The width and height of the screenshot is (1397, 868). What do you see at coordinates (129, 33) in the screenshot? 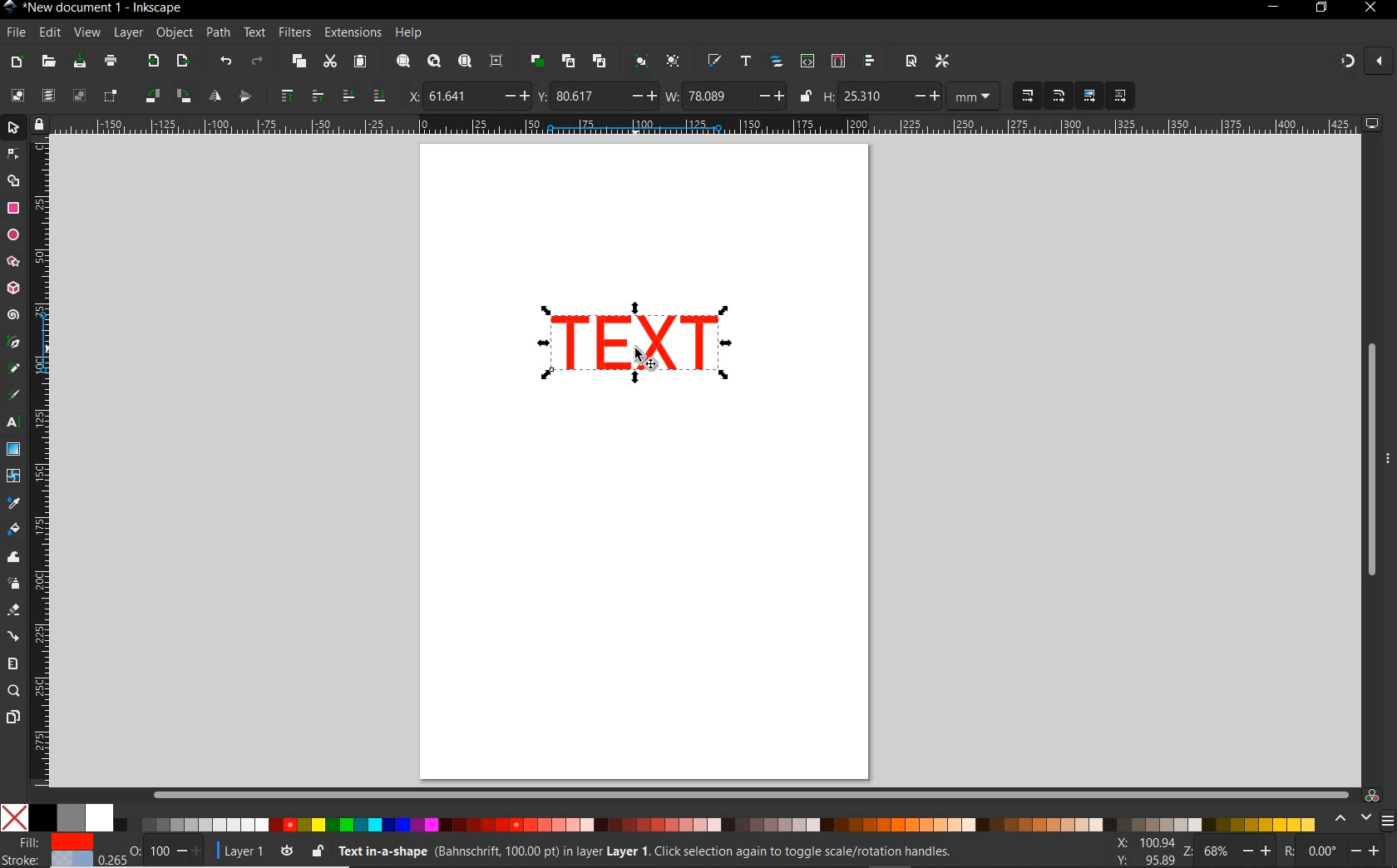
I see `layer` at bounding box center [129, 33].